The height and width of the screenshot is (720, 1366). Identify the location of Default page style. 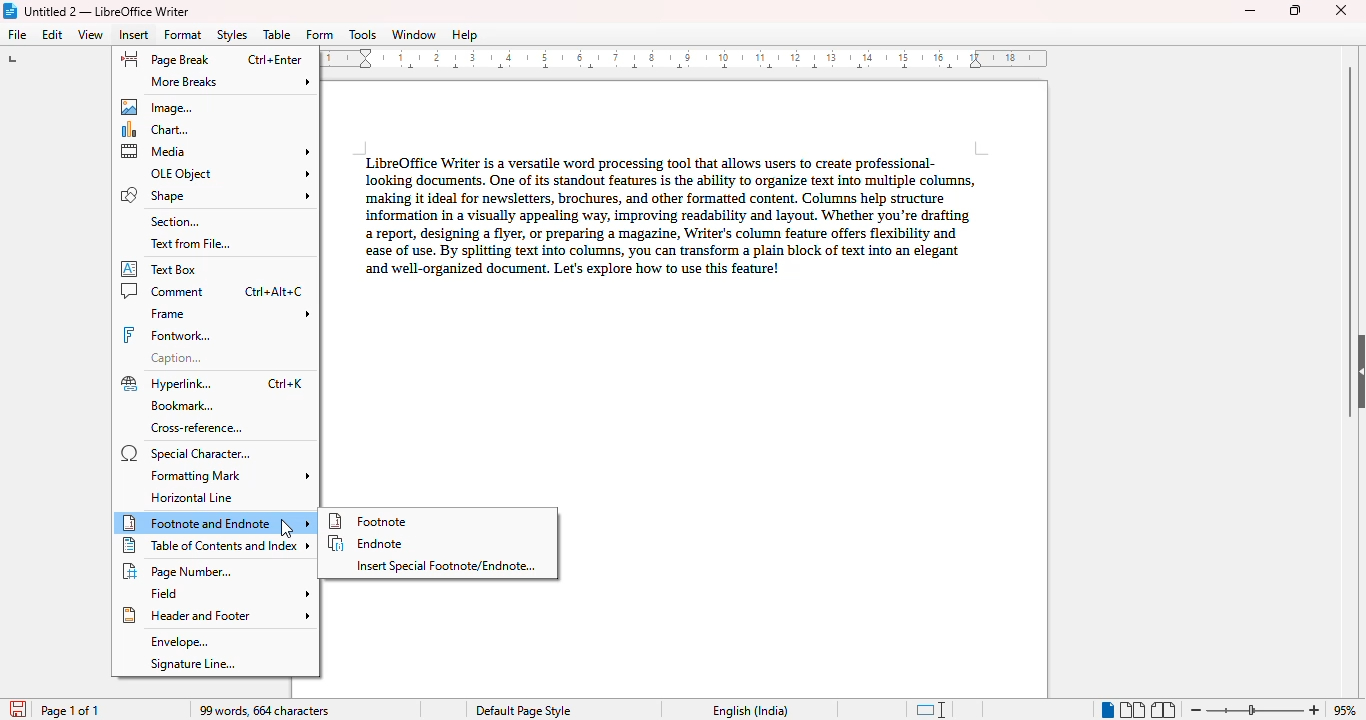
(522, 711).